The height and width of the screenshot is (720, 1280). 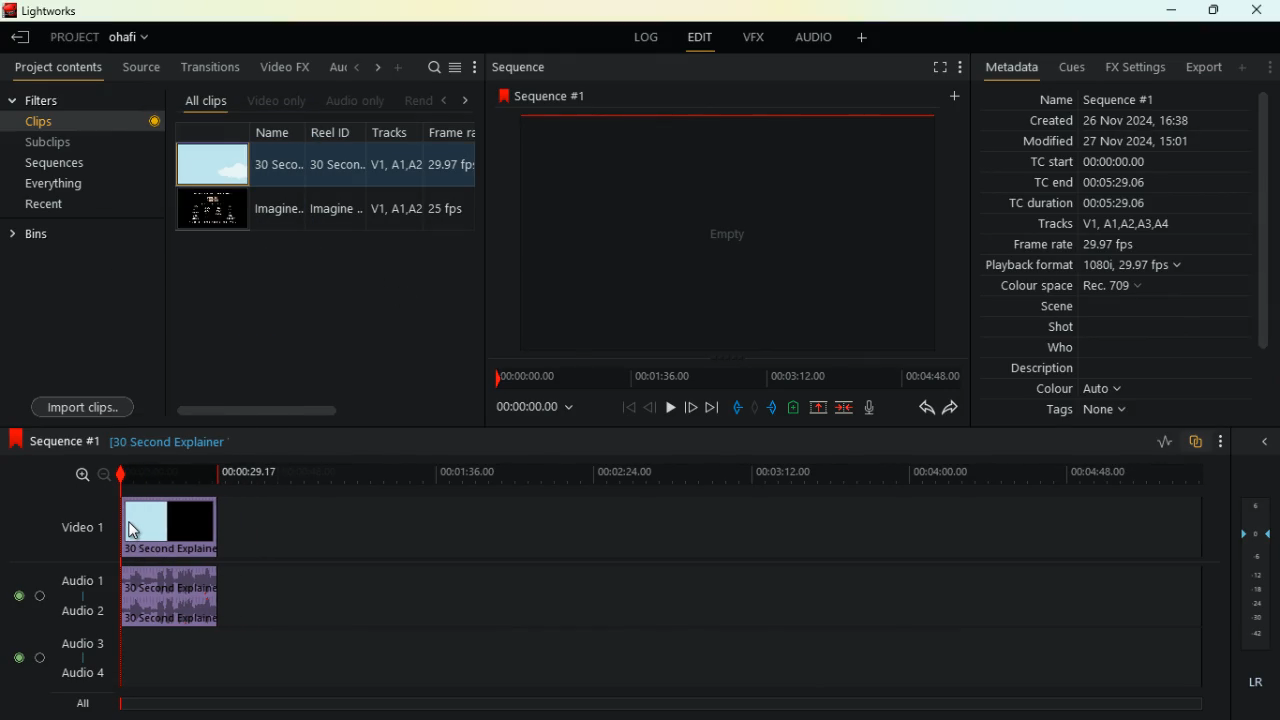 What do you see at coordinates (1079, 391) in the screenshot?
I see `colour` at bounding box center [1079, 391].